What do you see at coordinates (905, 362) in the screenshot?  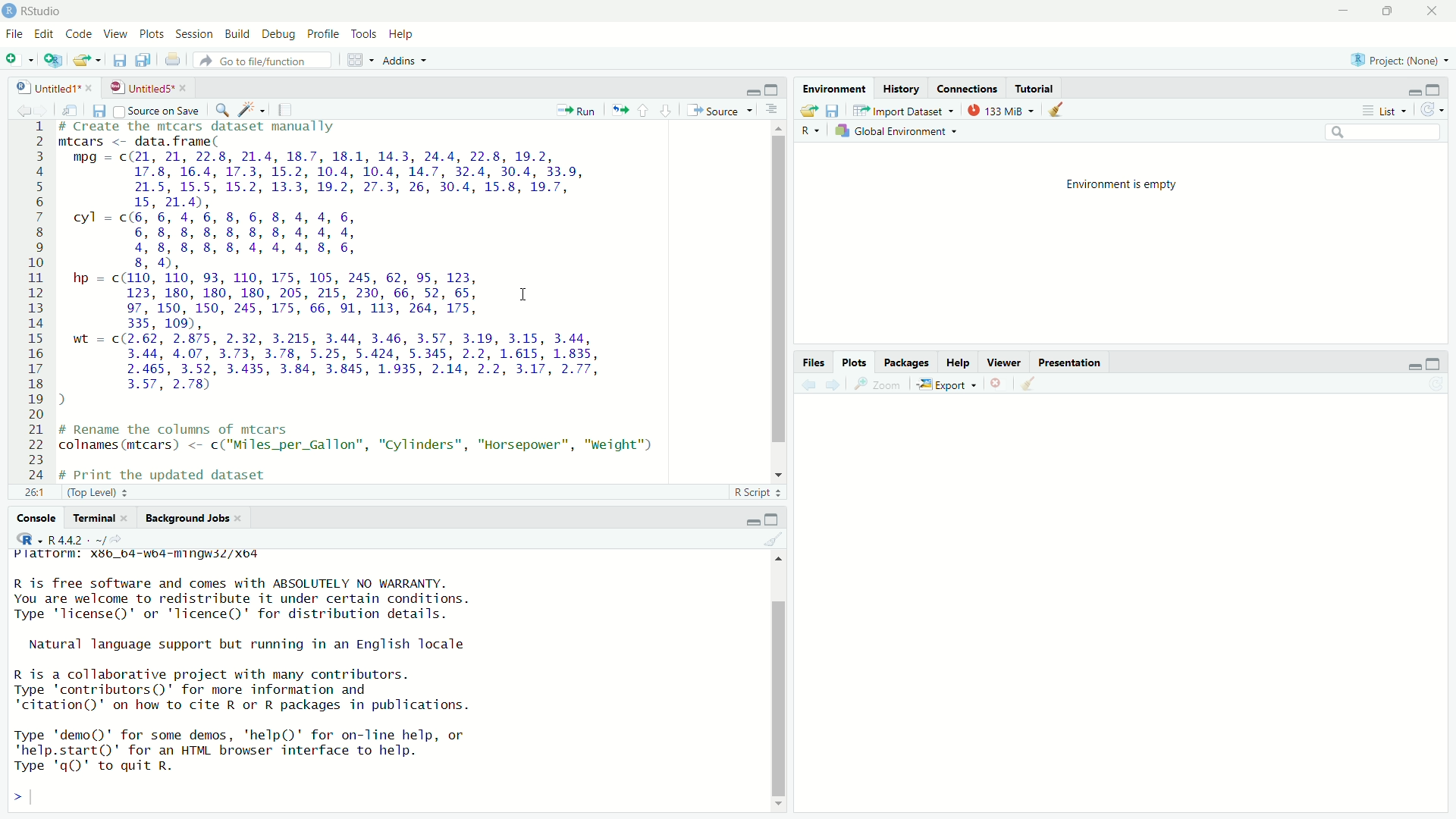 I see `packages` at bounding box center [905, 362].